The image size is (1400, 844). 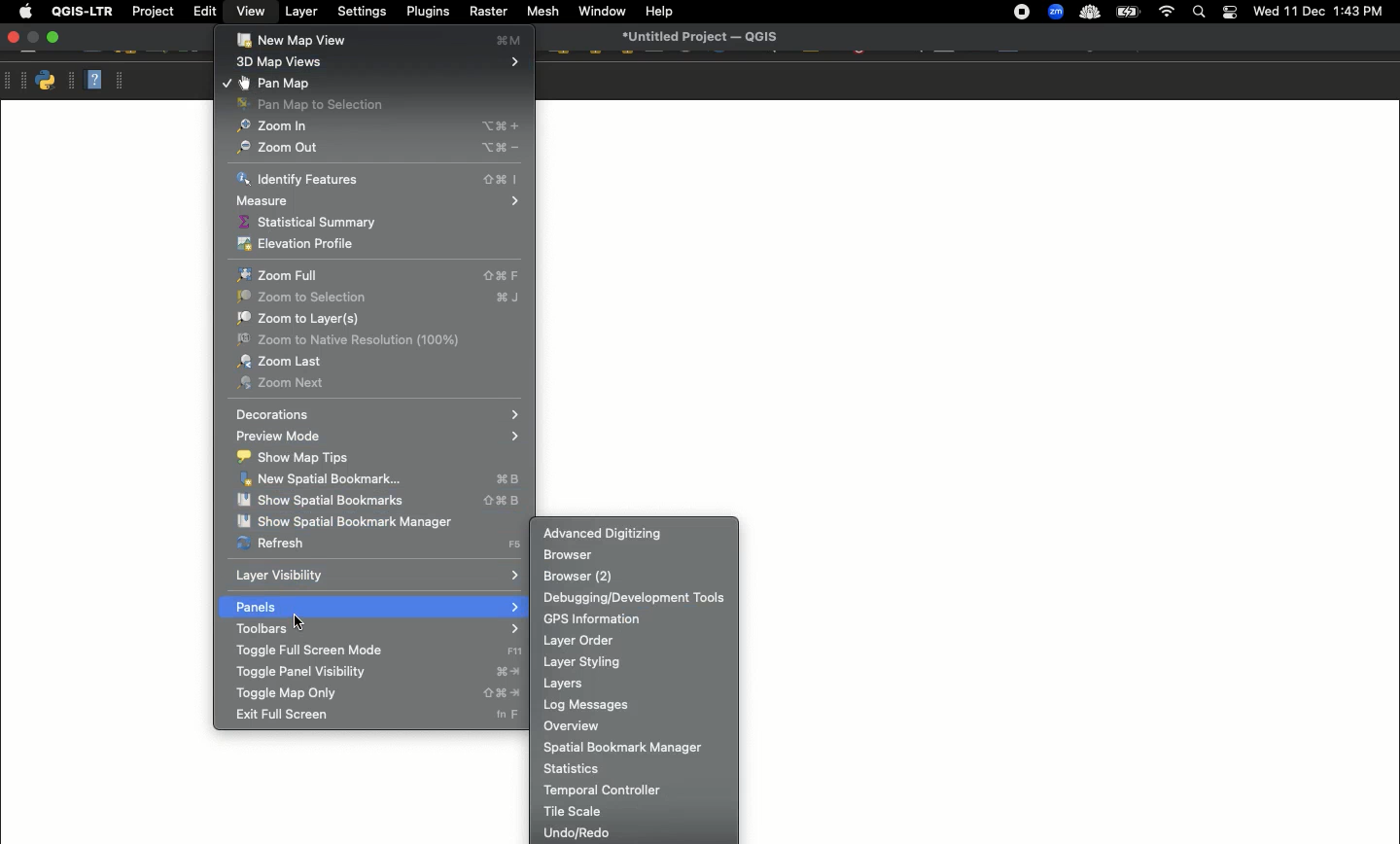 What do you see at coordinates (71, 83) in the screenshot?
I see `` at bounding box center [71, 83].